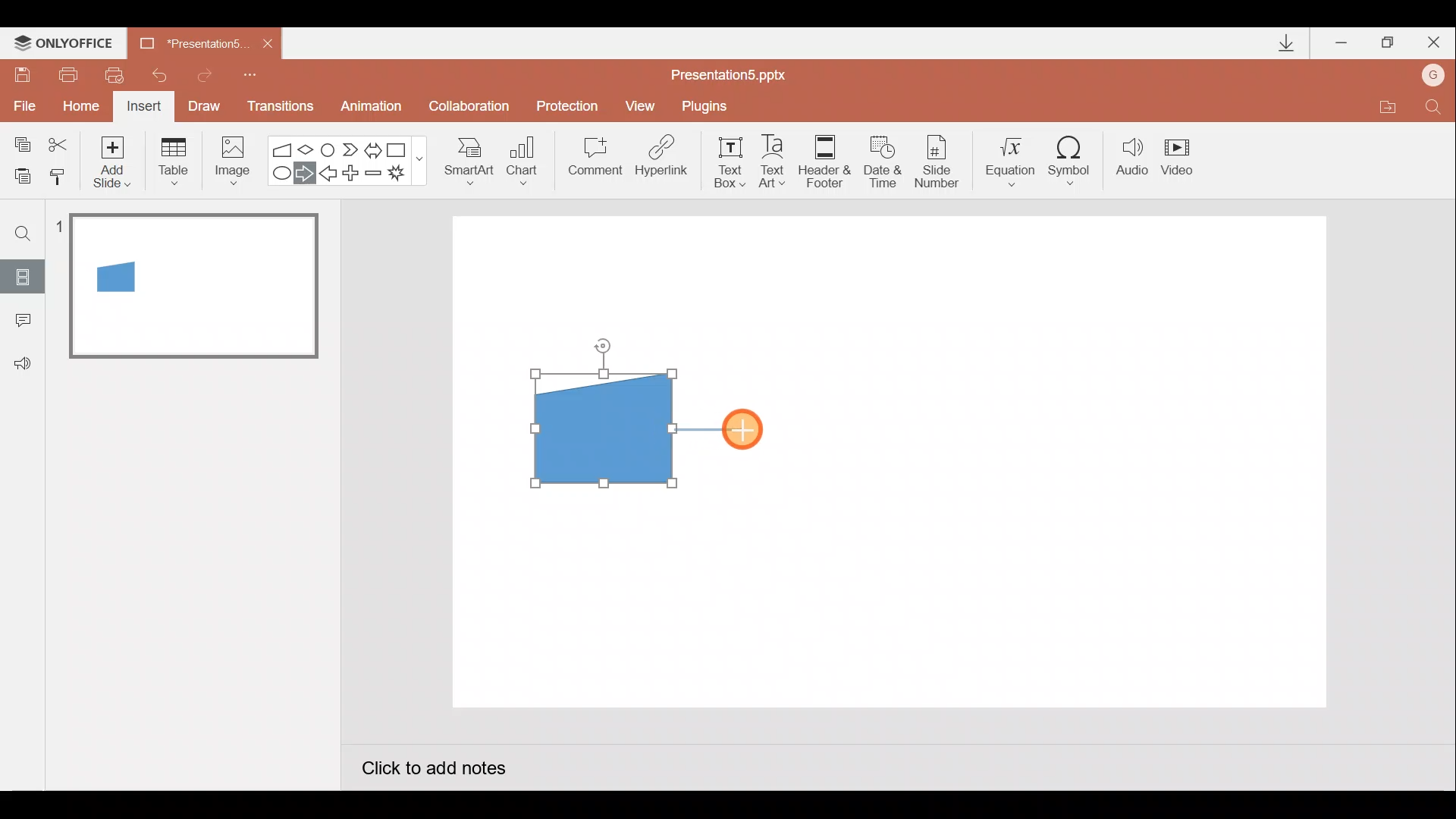  I want to click on Symbol, so click(1075, 160).